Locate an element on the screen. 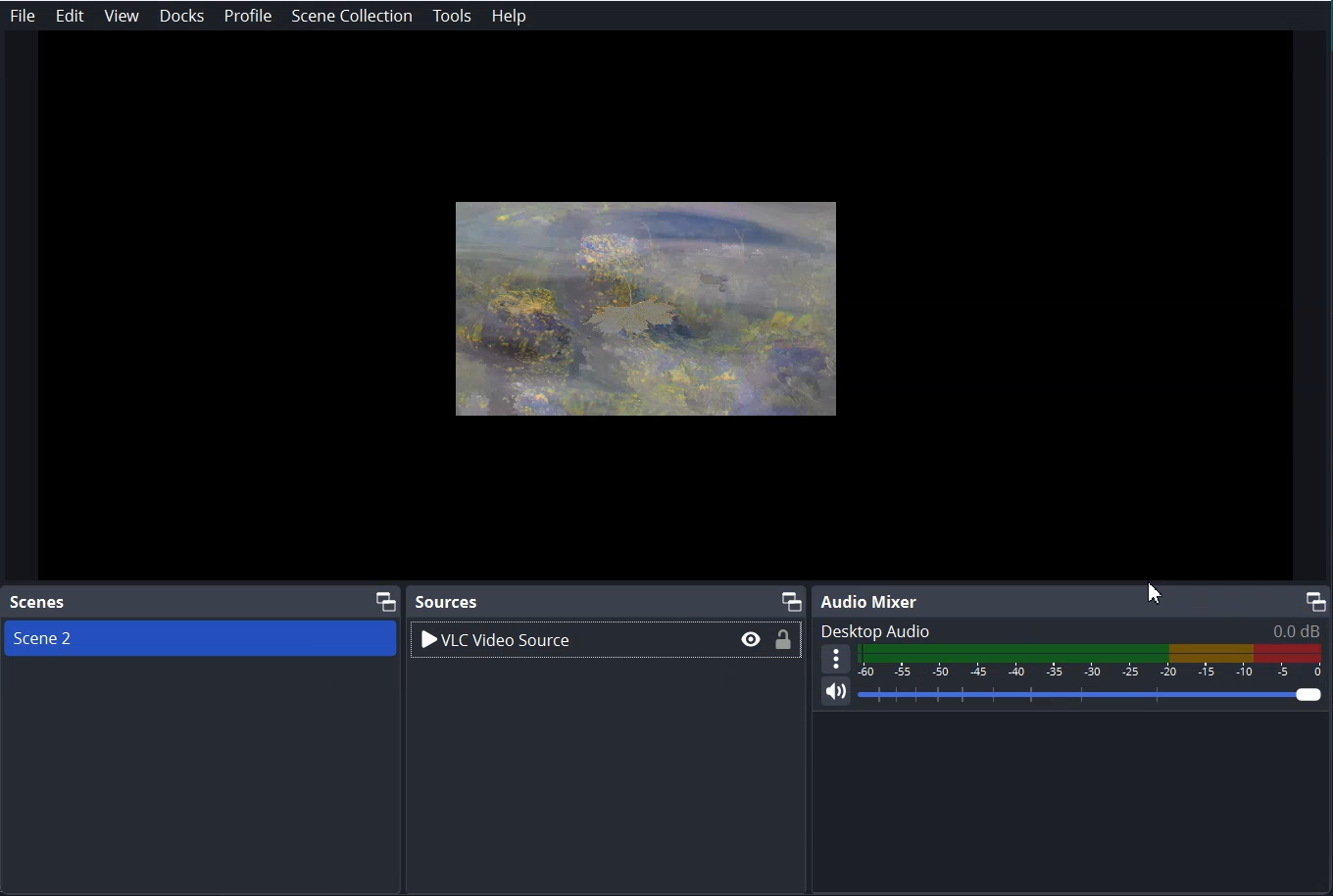 This screenshot has height=896, width=1333. Volume Adjuster is located at coordinates (1093, 697).